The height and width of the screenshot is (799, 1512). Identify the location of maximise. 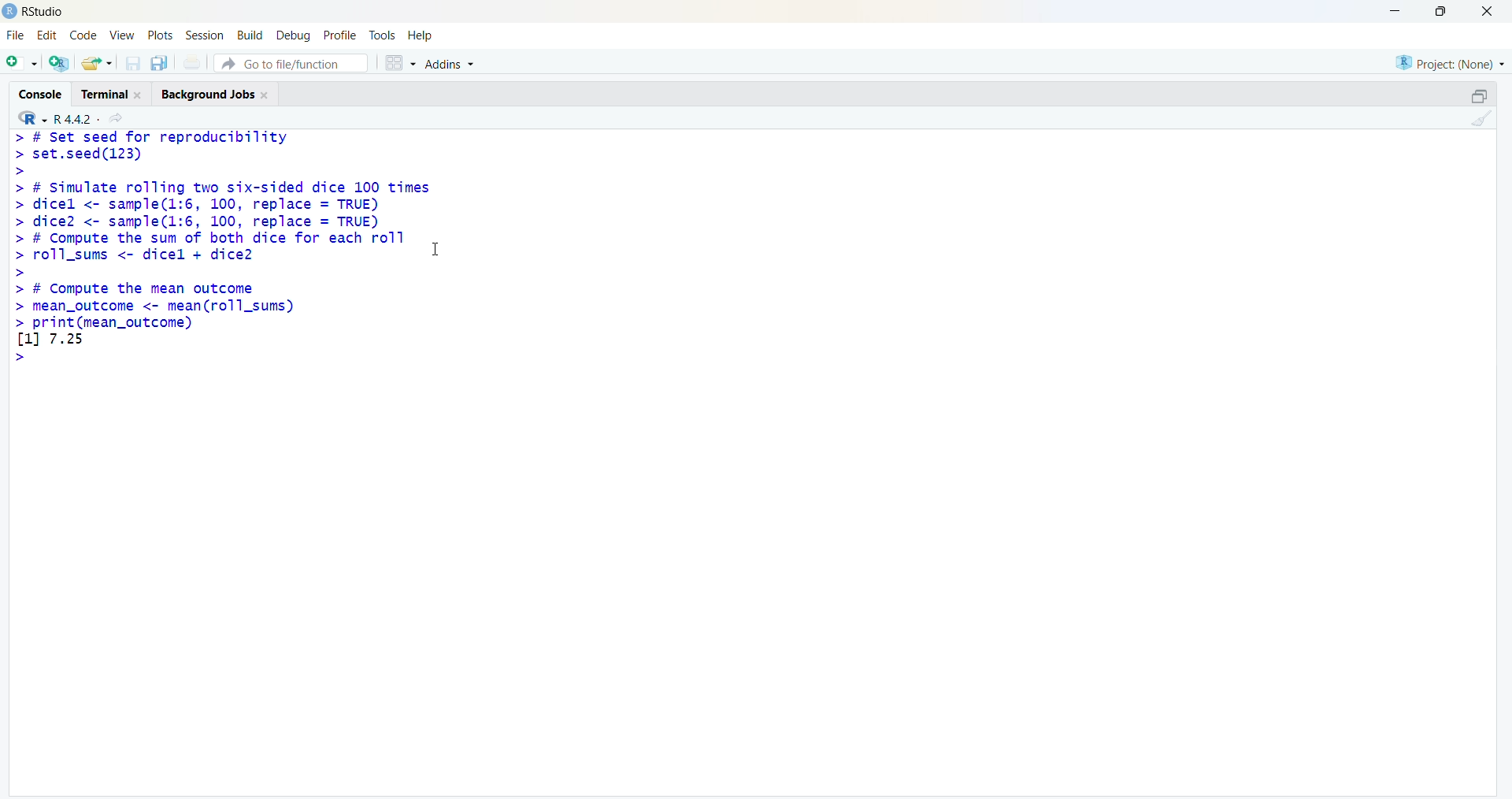
(1445, 11).